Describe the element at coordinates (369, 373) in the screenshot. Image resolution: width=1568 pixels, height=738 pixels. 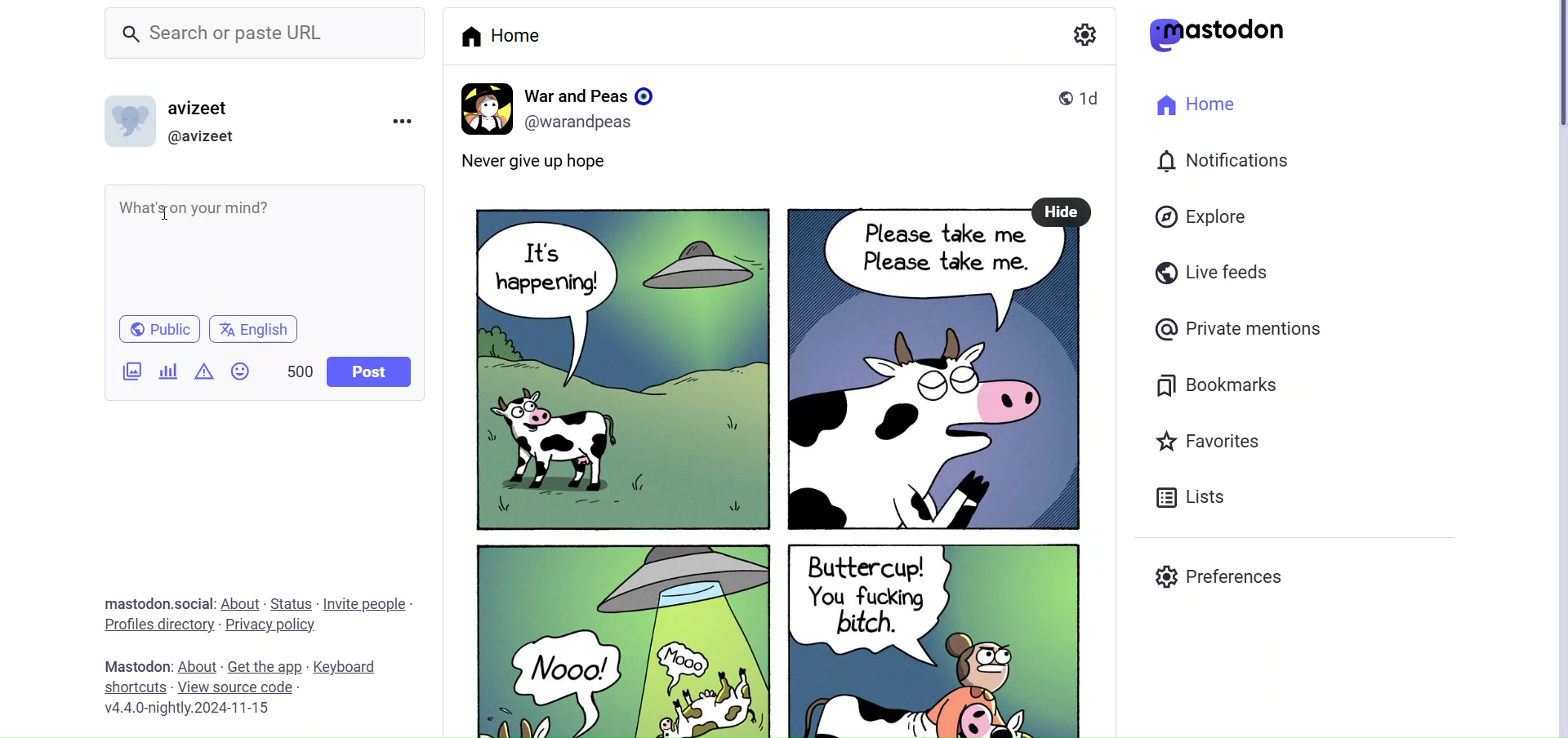
I see `Post` at that location.